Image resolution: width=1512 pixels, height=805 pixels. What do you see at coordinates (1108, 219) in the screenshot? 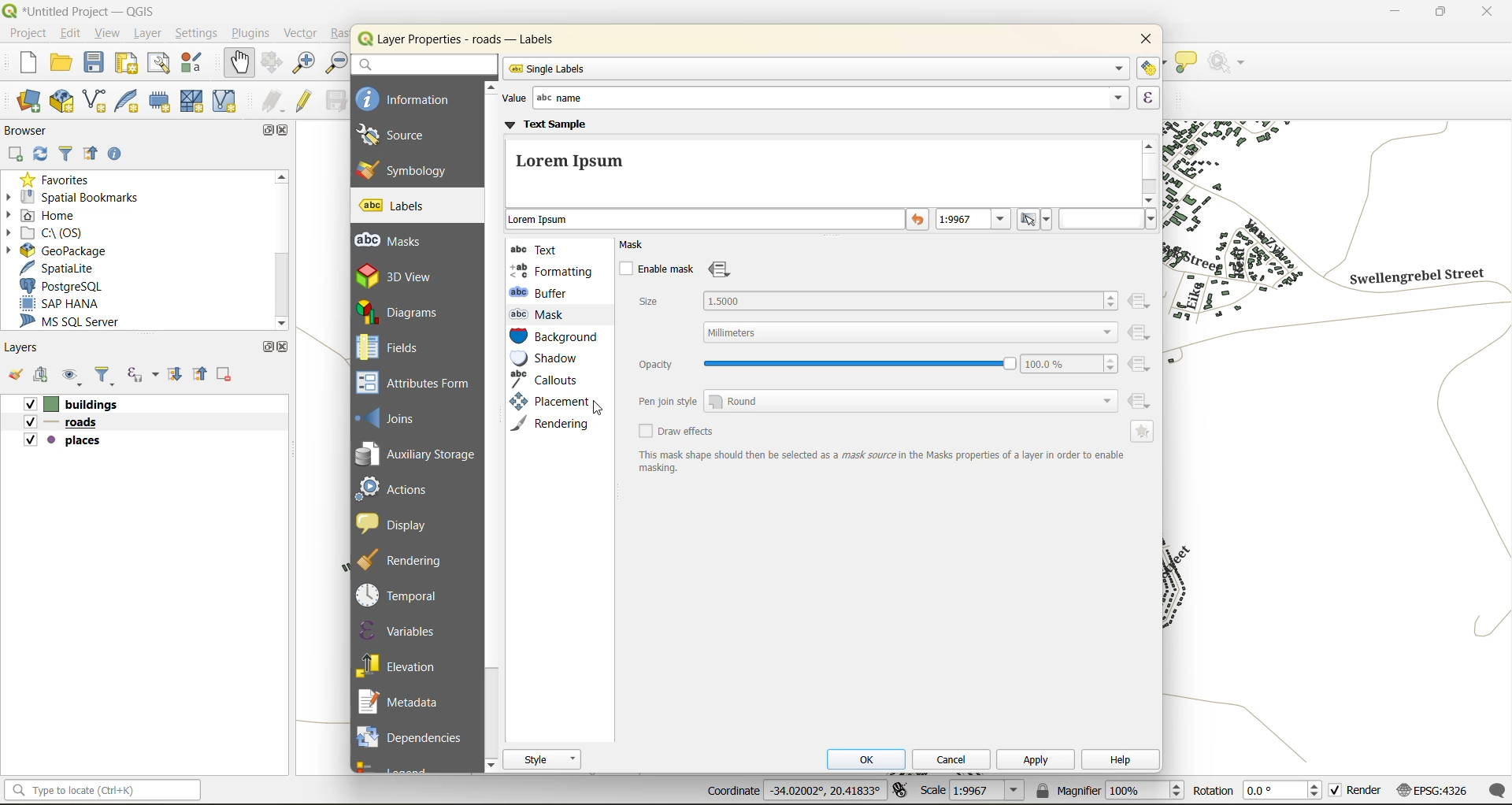
I see `hex` at bounding box center [1108, 219].